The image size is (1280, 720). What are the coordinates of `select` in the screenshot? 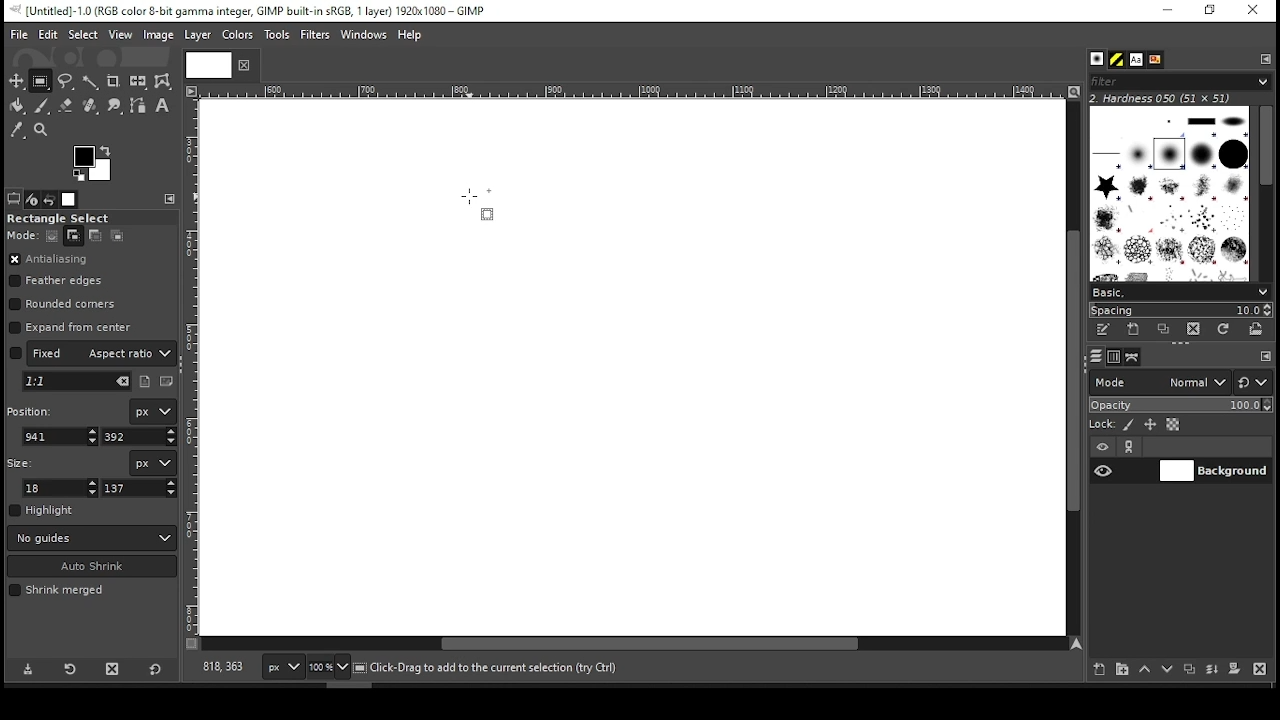 It's located at (82, 33).